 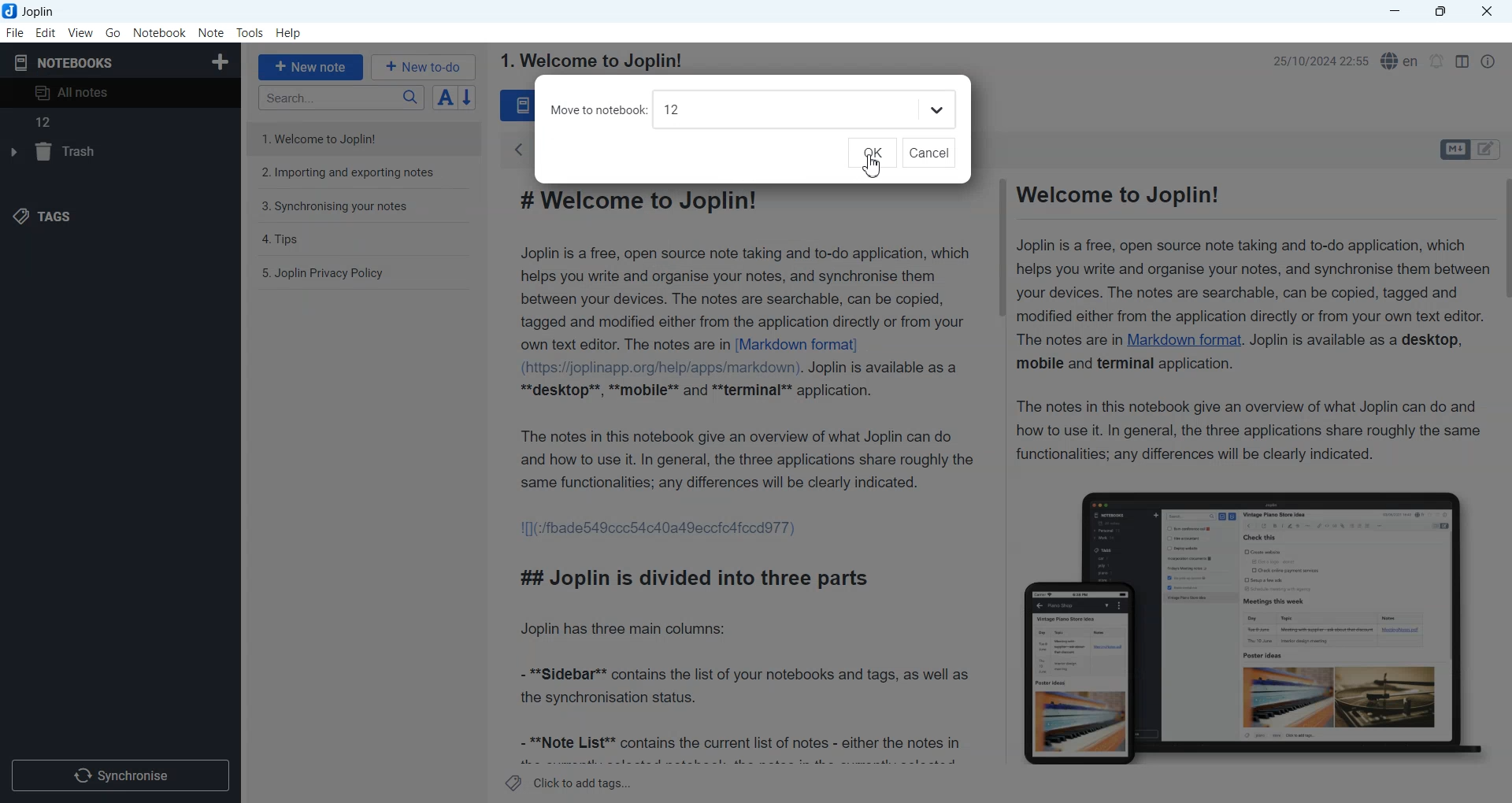 What do you see at coordinates (221, 60) in the screenshot?
I see `Create Notebook` at bounding box center [221, 60].